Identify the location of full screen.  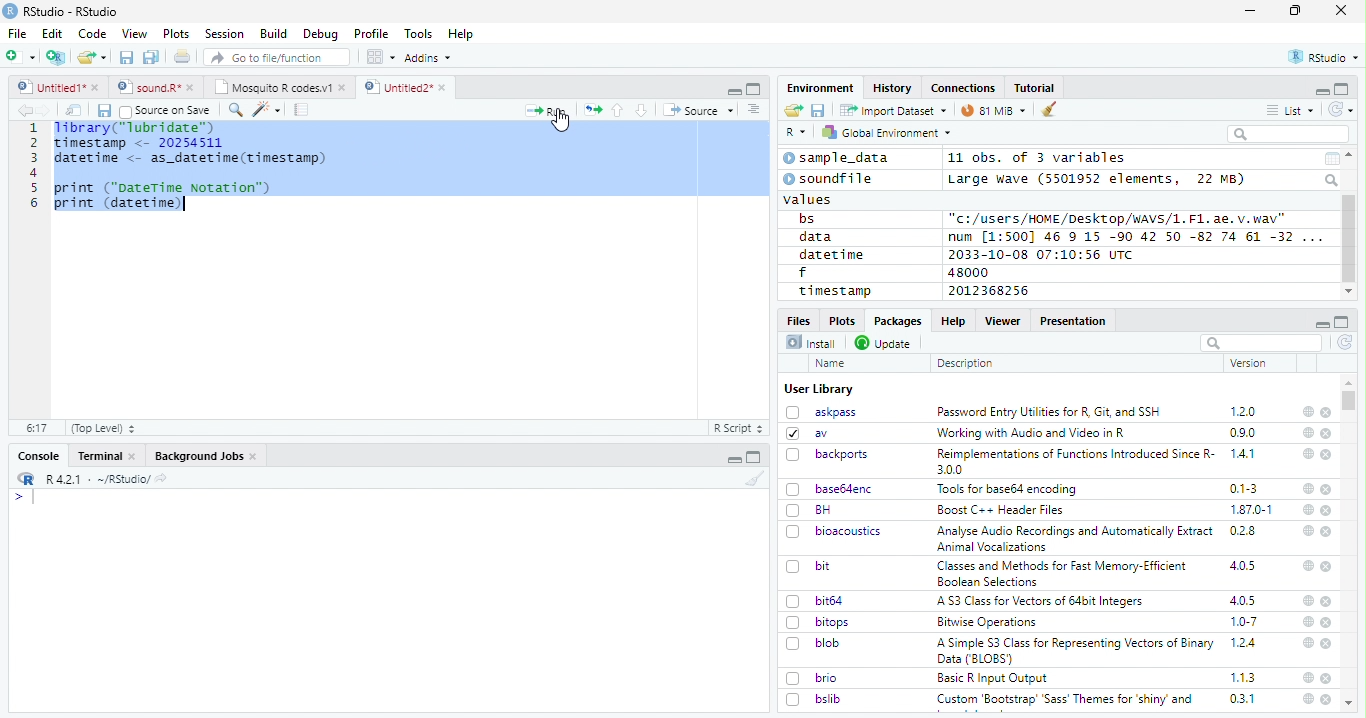
(1342, 89).